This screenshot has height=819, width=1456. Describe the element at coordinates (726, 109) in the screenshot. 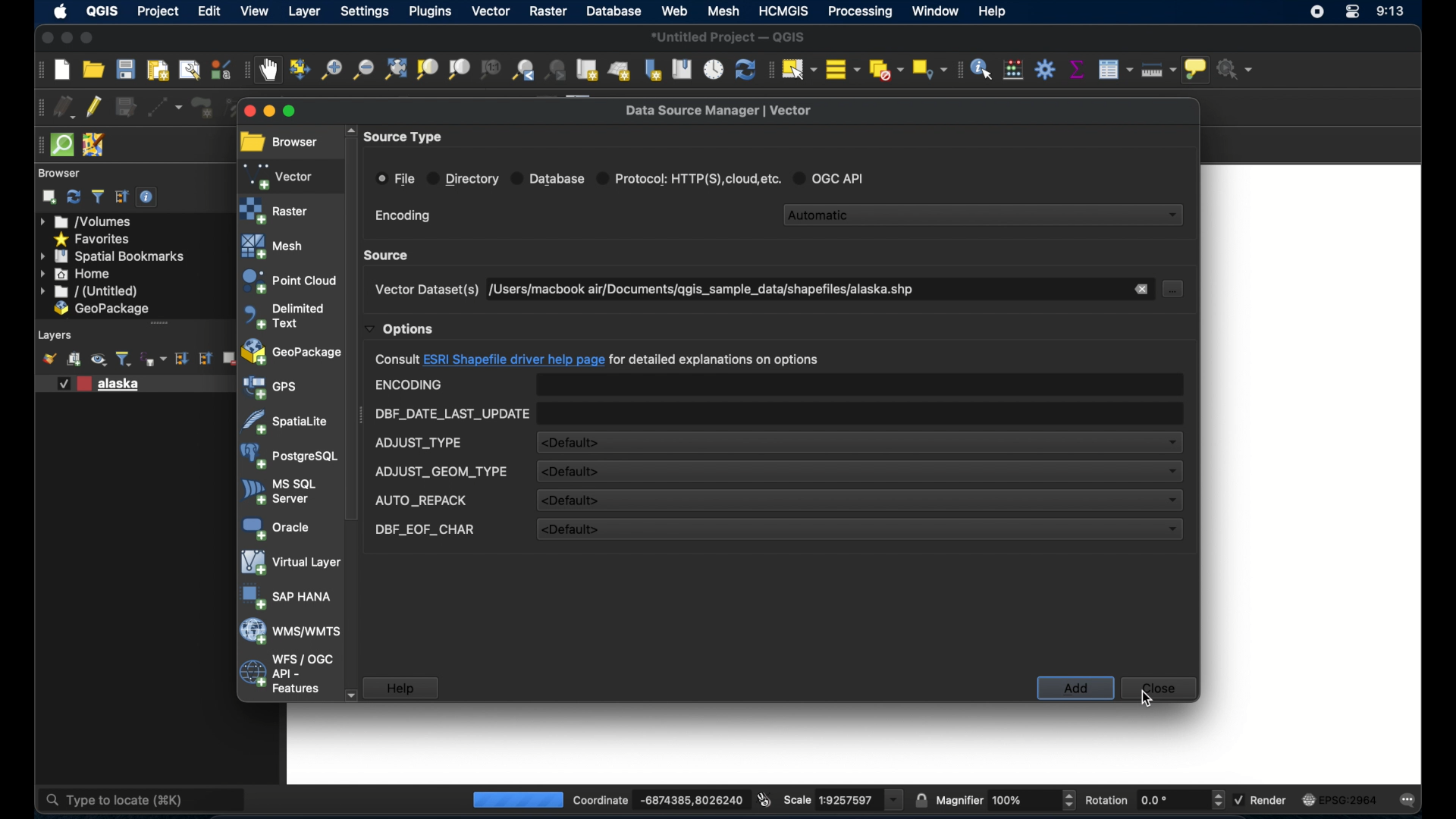

I see `Data Source manager Vector` at that location.